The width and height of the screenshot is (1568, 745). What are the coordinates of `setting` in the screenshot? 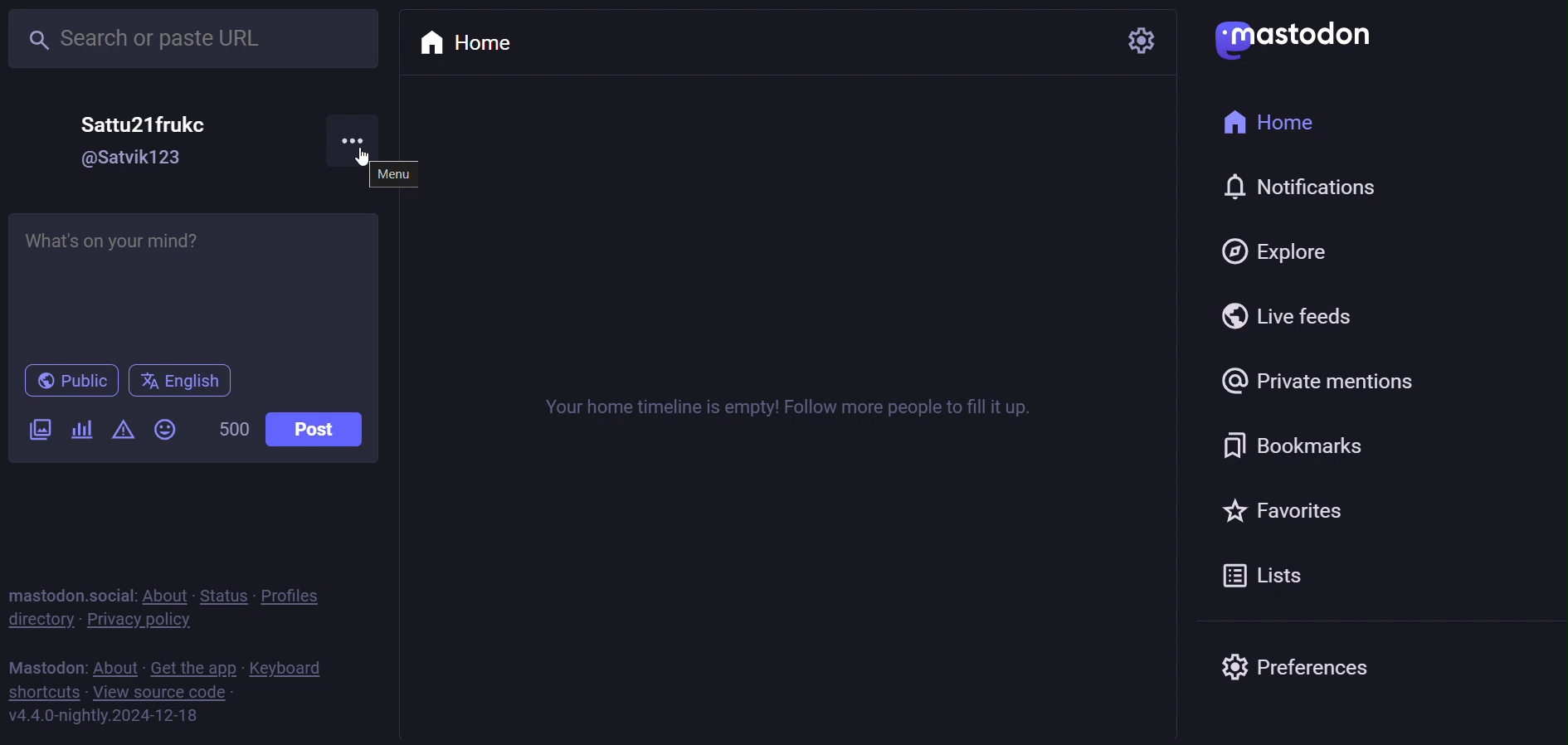 It's located at (1136, 38).